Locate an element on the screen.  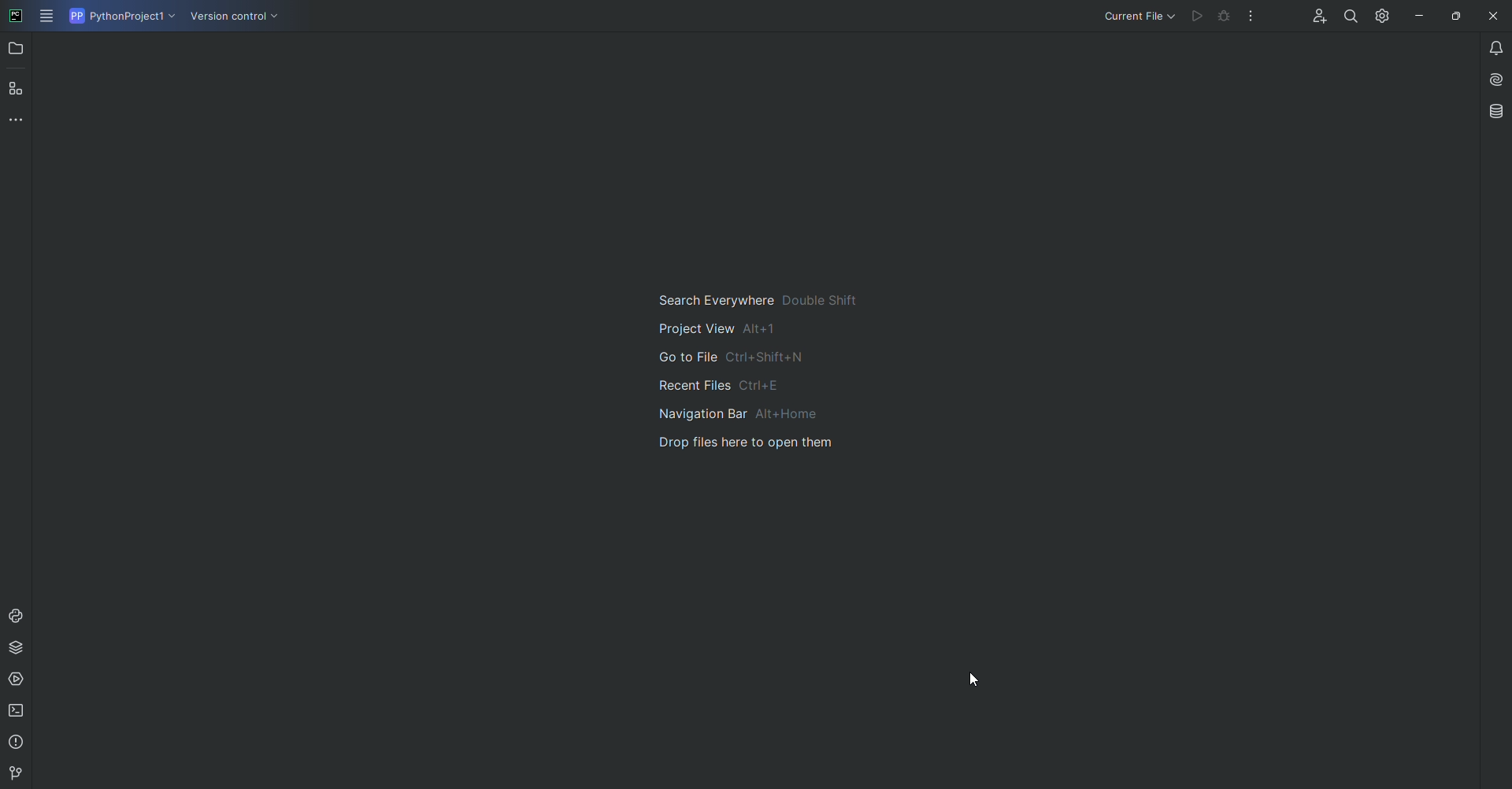
Shortcut information is located at coordinates (752, 372).